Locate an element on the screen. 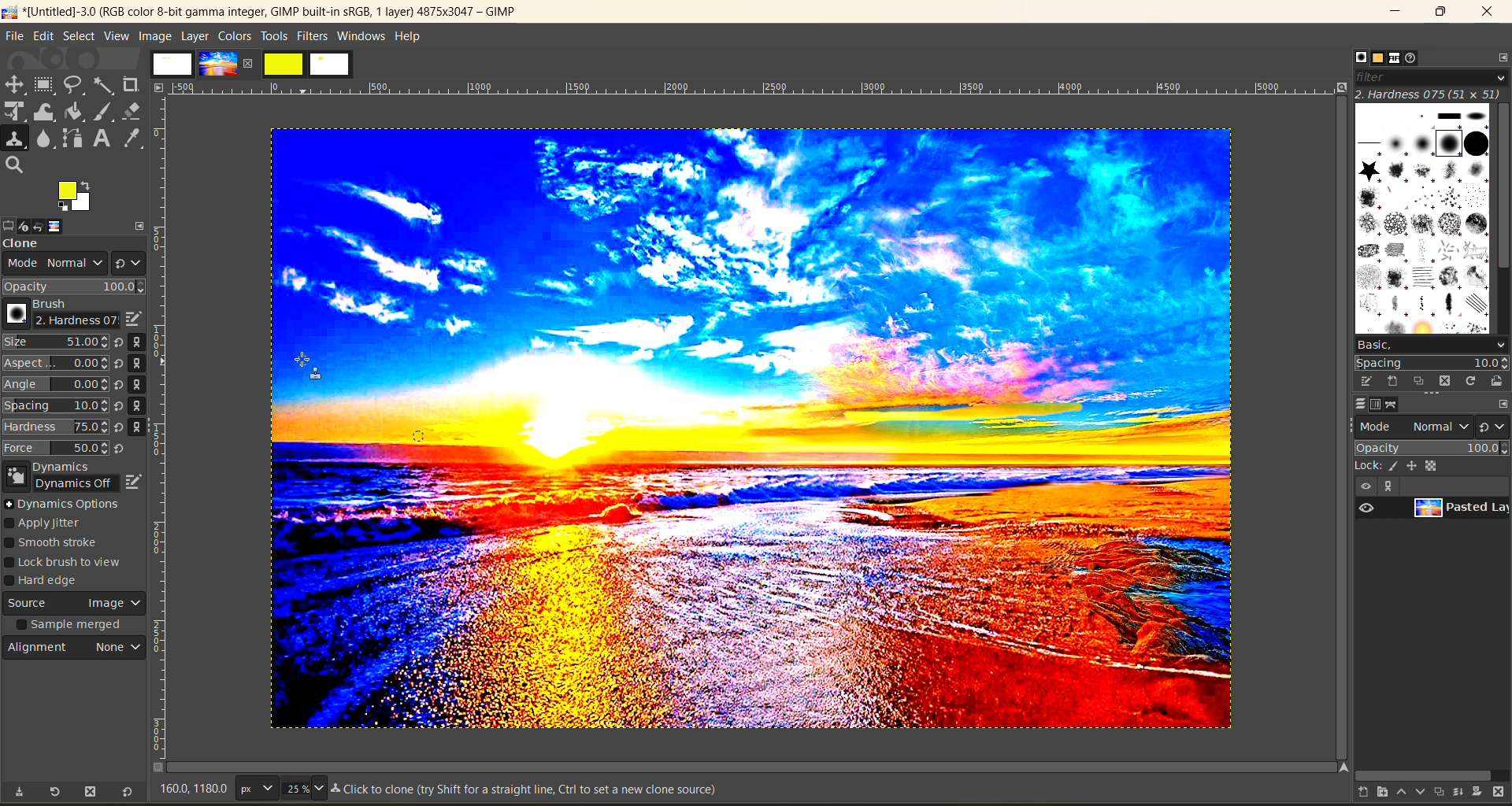 The image size is (1512, 806). patterns is located at coordinates (1376, 59).